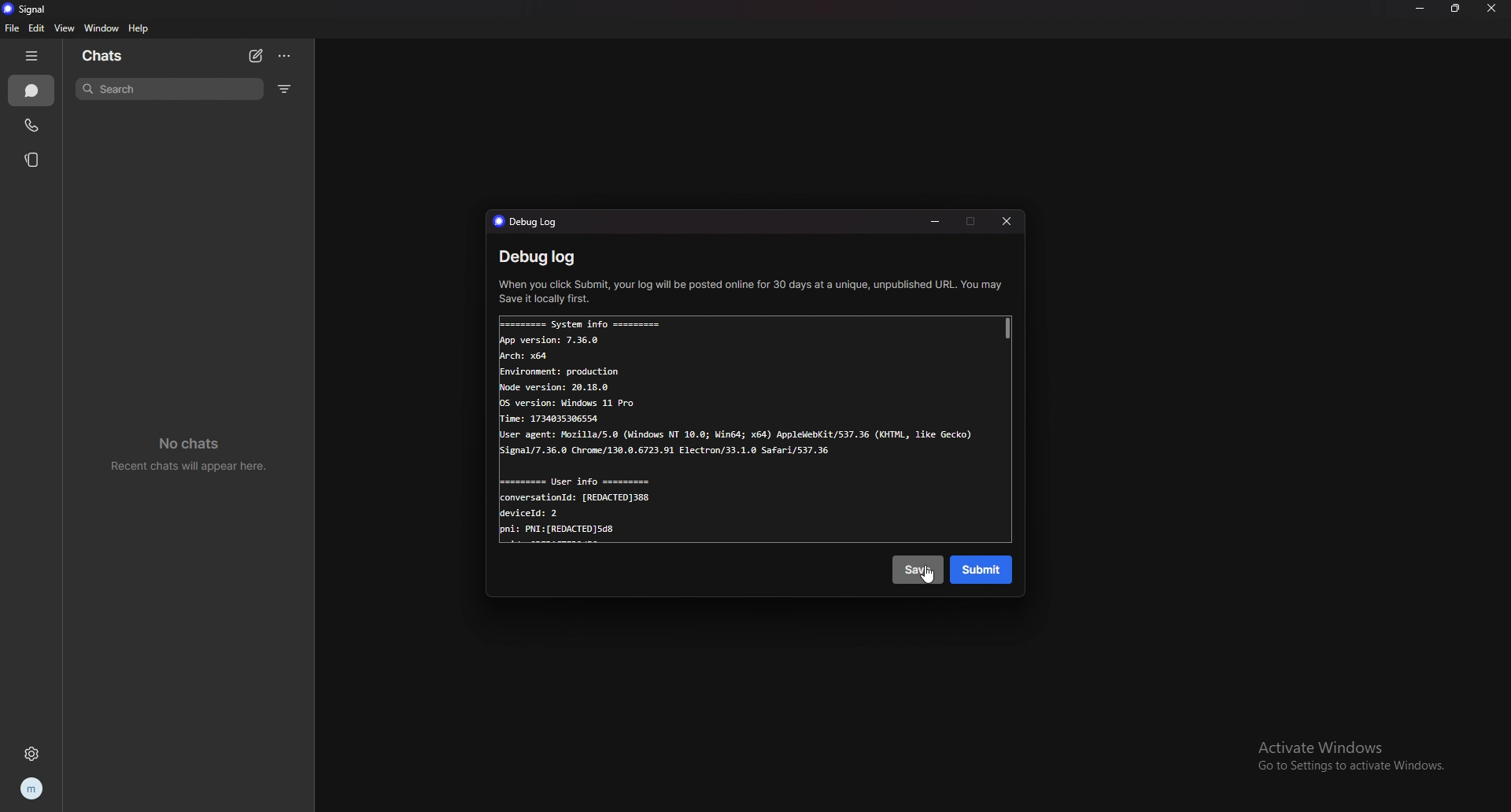 This screenshot has width=1511, height=812. I want to click on hide tab, so click(32, 56).